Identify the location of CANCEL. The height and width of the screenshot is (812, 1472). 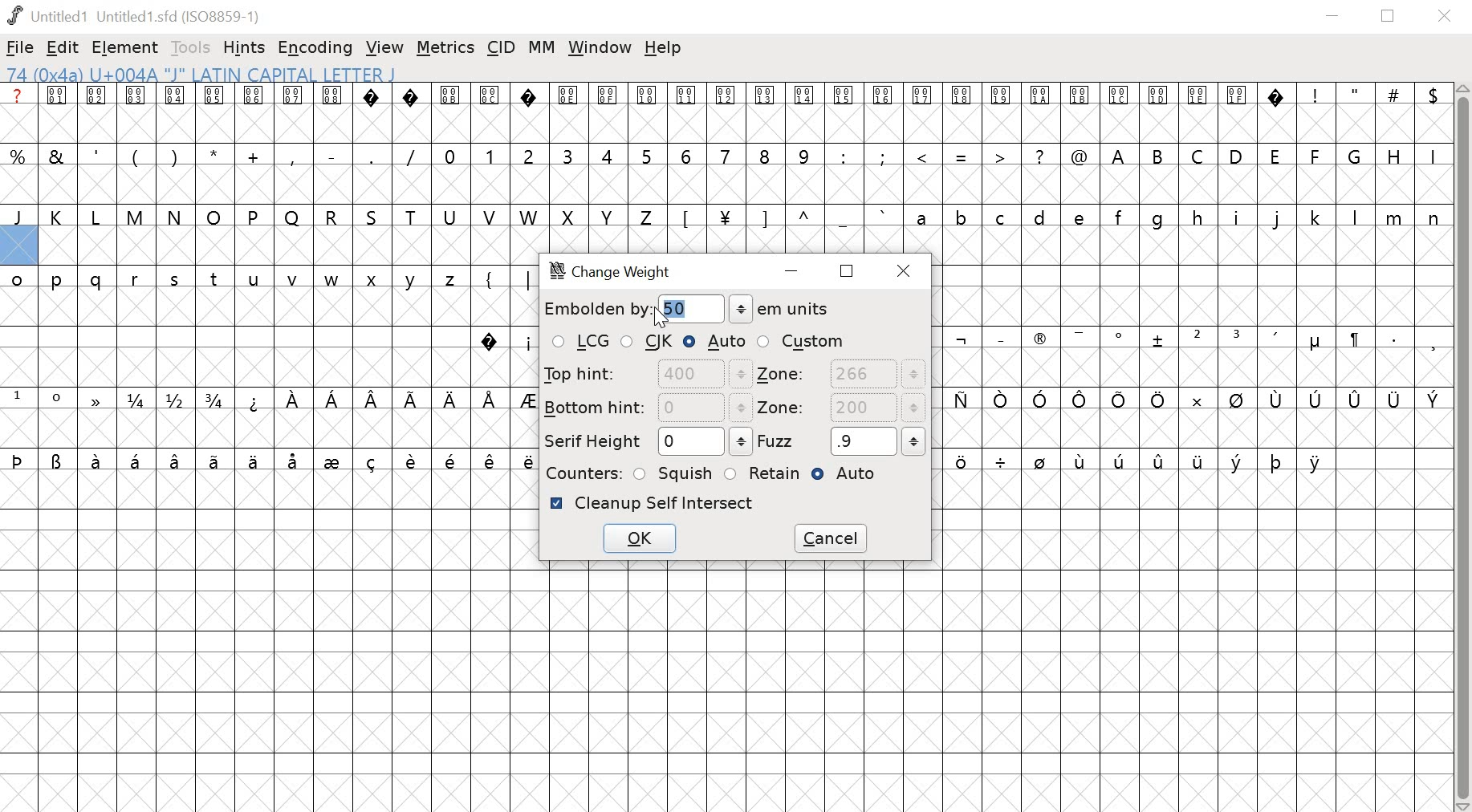
(833, 538).